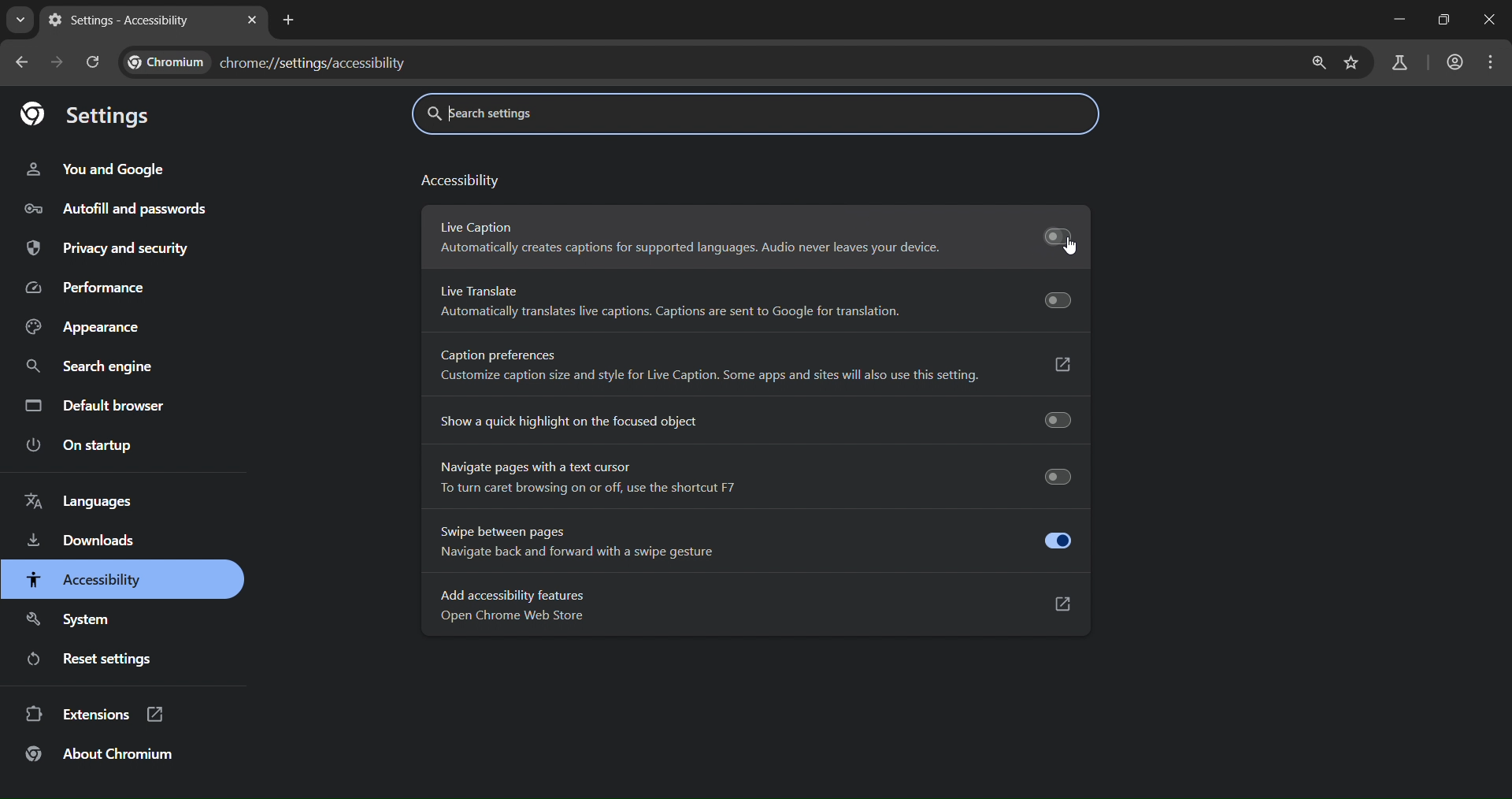 This screenshot has height=799, width=1512. Describe the element at coordinates (1354, 61) in the screenshot. I see `bookmark page` at that location.